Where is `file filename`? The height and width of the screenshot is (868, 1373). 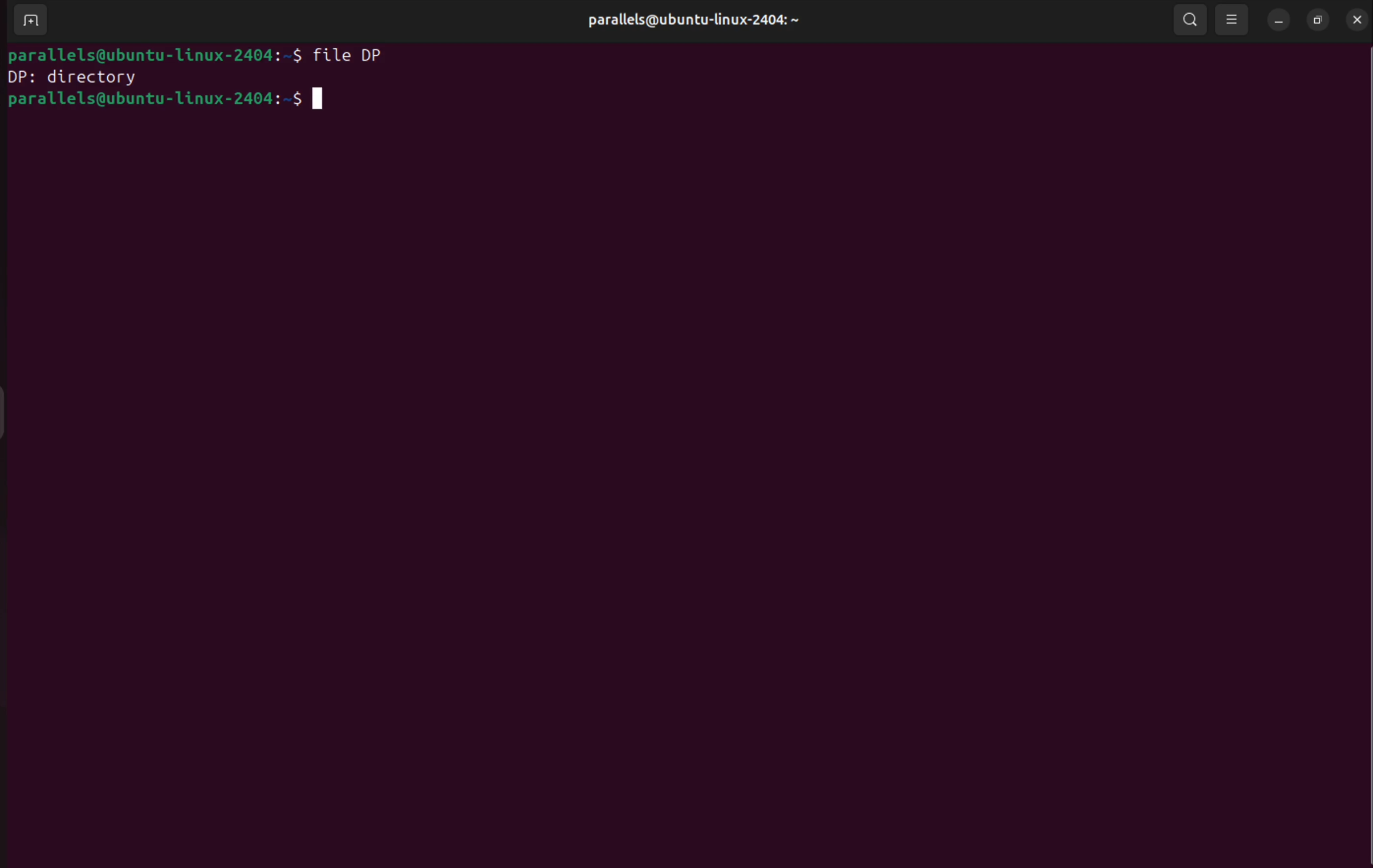 file filename is located at coordinates (356, 58).